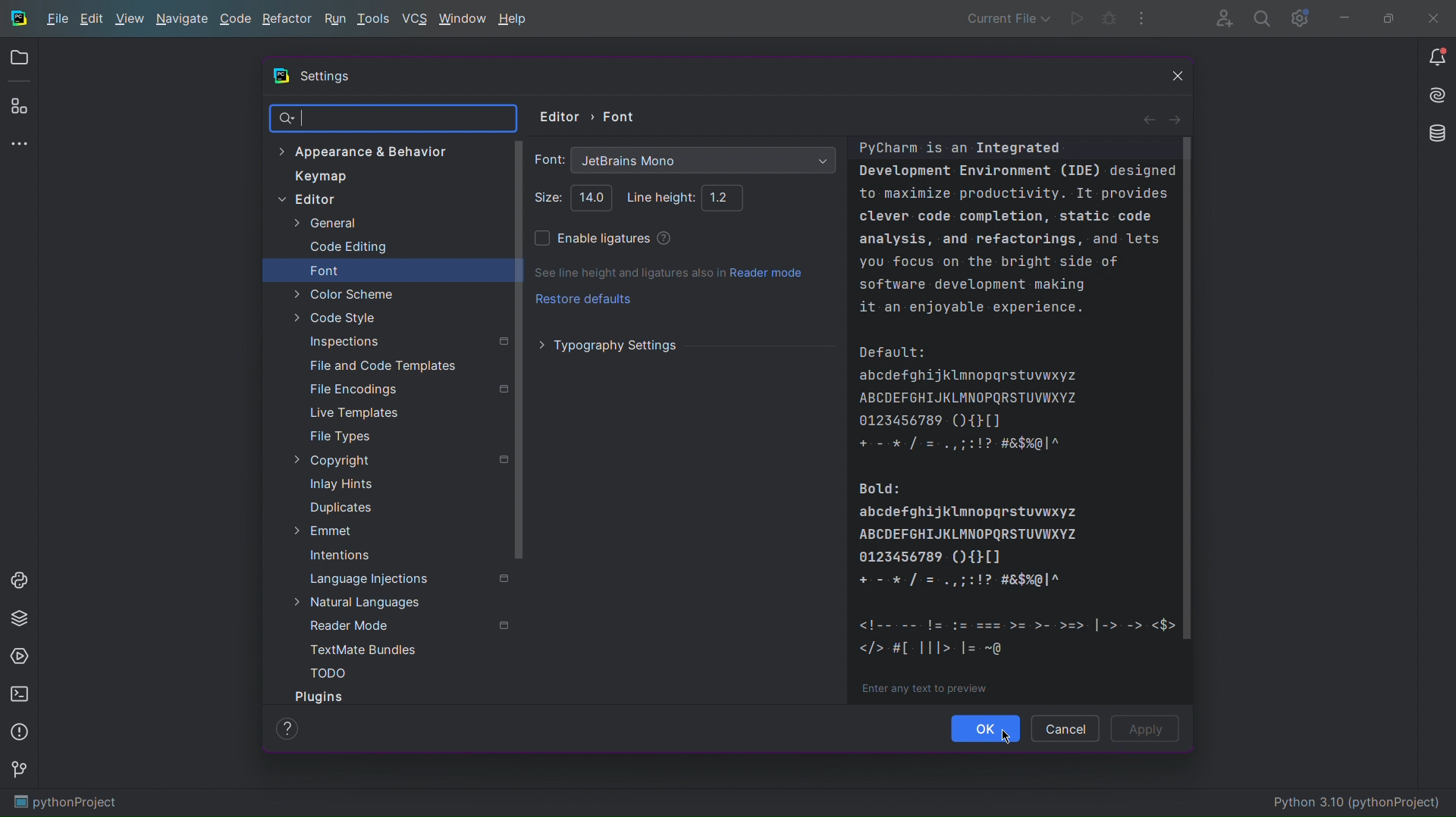 Image resolution: width=1456 pixels, height=817 pixels. Describe the element at coordinates (322, 696) in the screenshot. I see `Plugins` at that location.